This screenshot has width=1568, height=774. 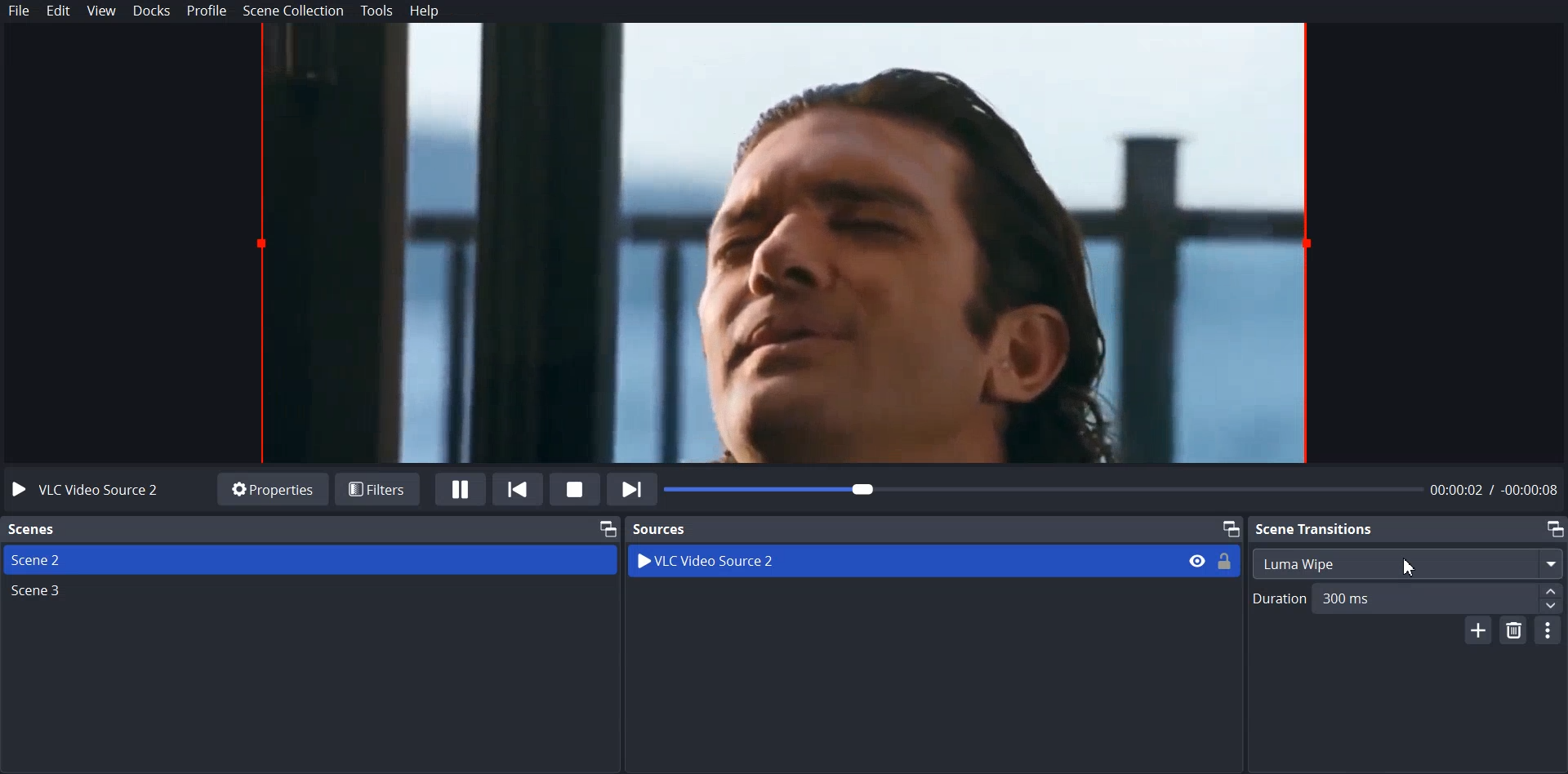 What do you see at coordinates (1515, 632) in the screenshot?
I see `Delete` at bounding box center [1515, 632].